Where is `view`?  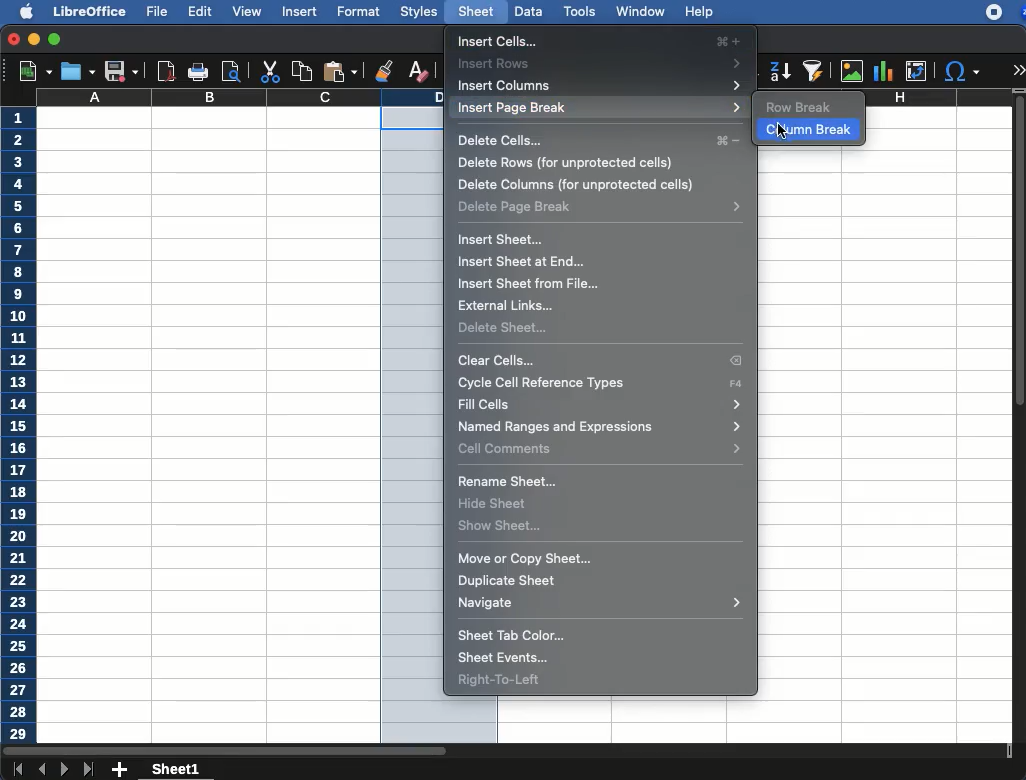
view is located at coordinates (247, 11).